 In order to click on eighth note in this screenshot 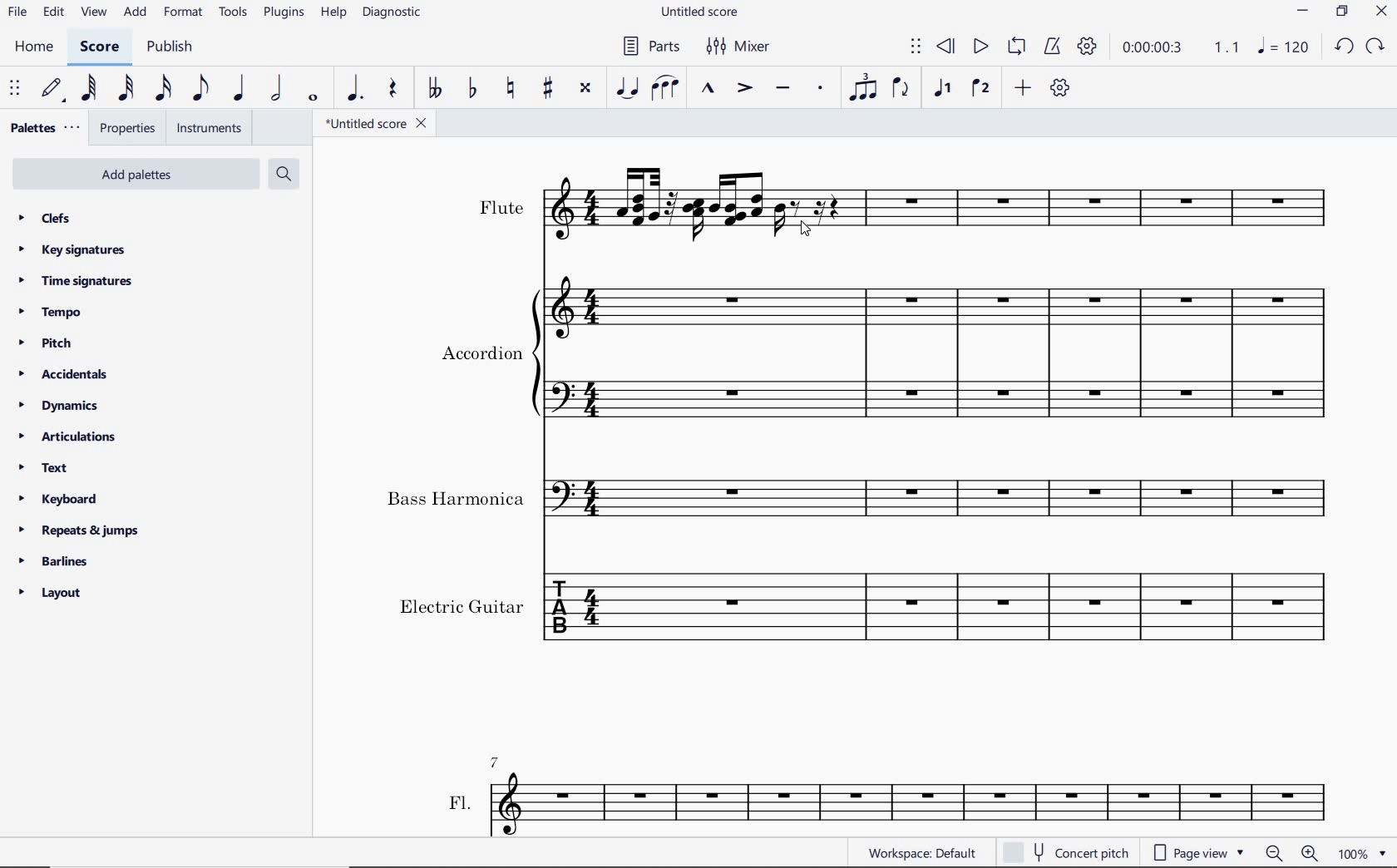, I will do `click(199, 88)`.